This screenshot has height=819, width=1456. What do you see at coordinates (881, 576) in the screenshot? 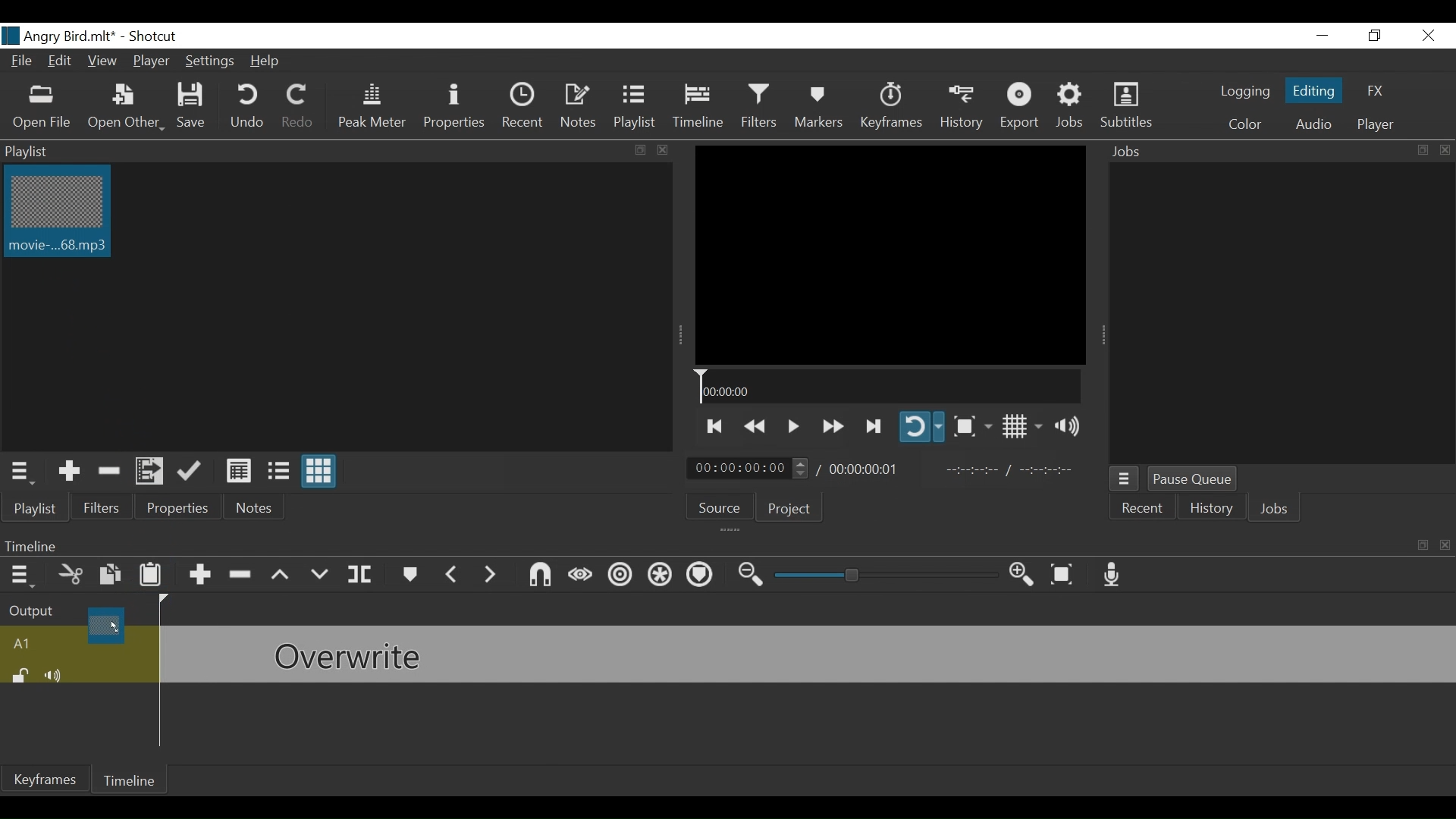
I see `Zoom slider` at bounding box center [881, 576].